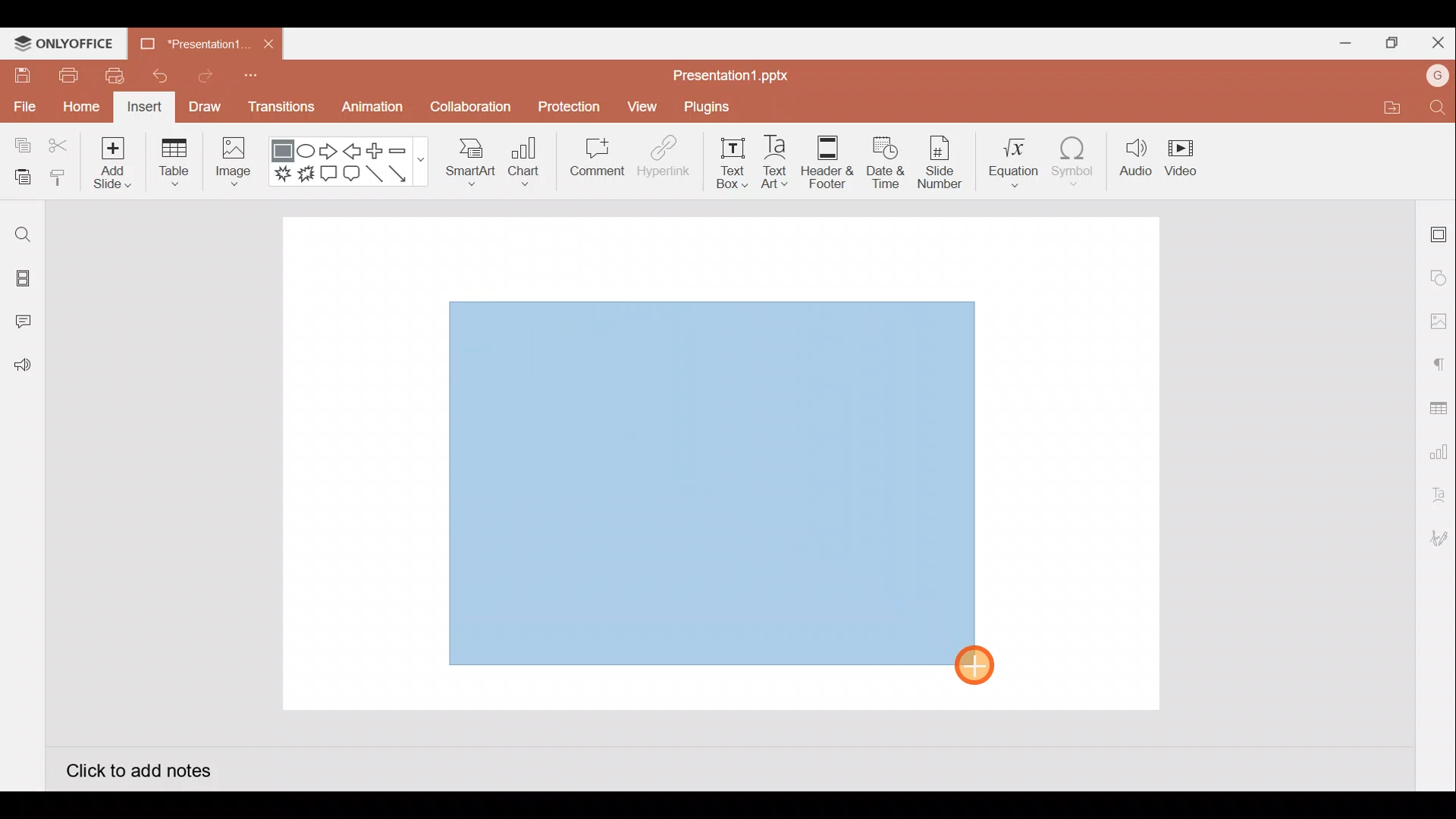 The width and height of the screenshot is (1456, 819). What do you see at coordinates (64, 43) in the screenshot?
I see `ONLYOFFICE` at bounding box center [64, 43].